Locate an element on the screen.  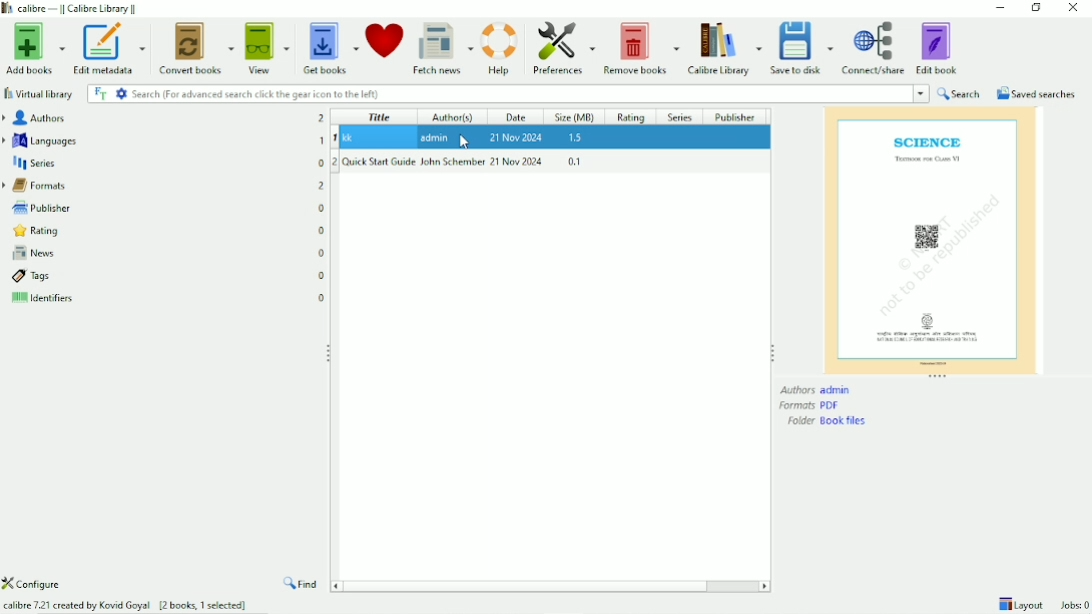
Virtual library is located at coordinates (38, 94).